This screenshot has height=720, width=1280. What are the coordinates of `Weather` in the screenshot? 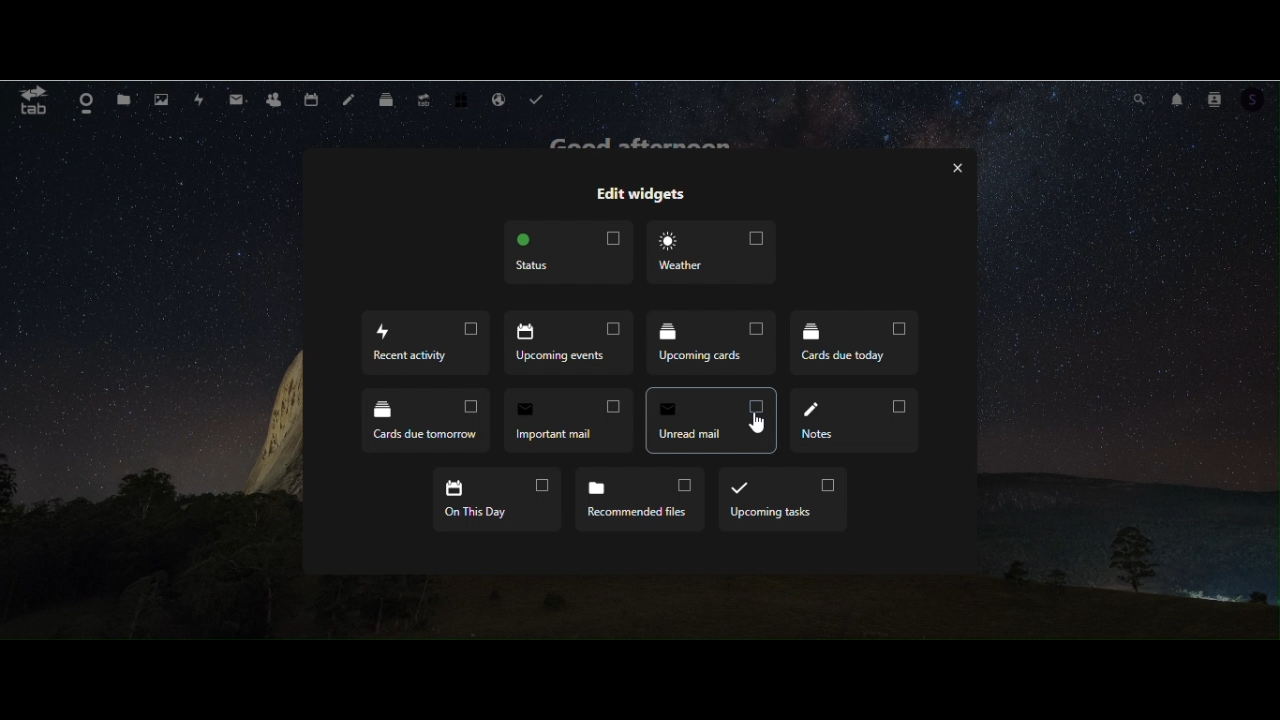 It's located at (714, 254).